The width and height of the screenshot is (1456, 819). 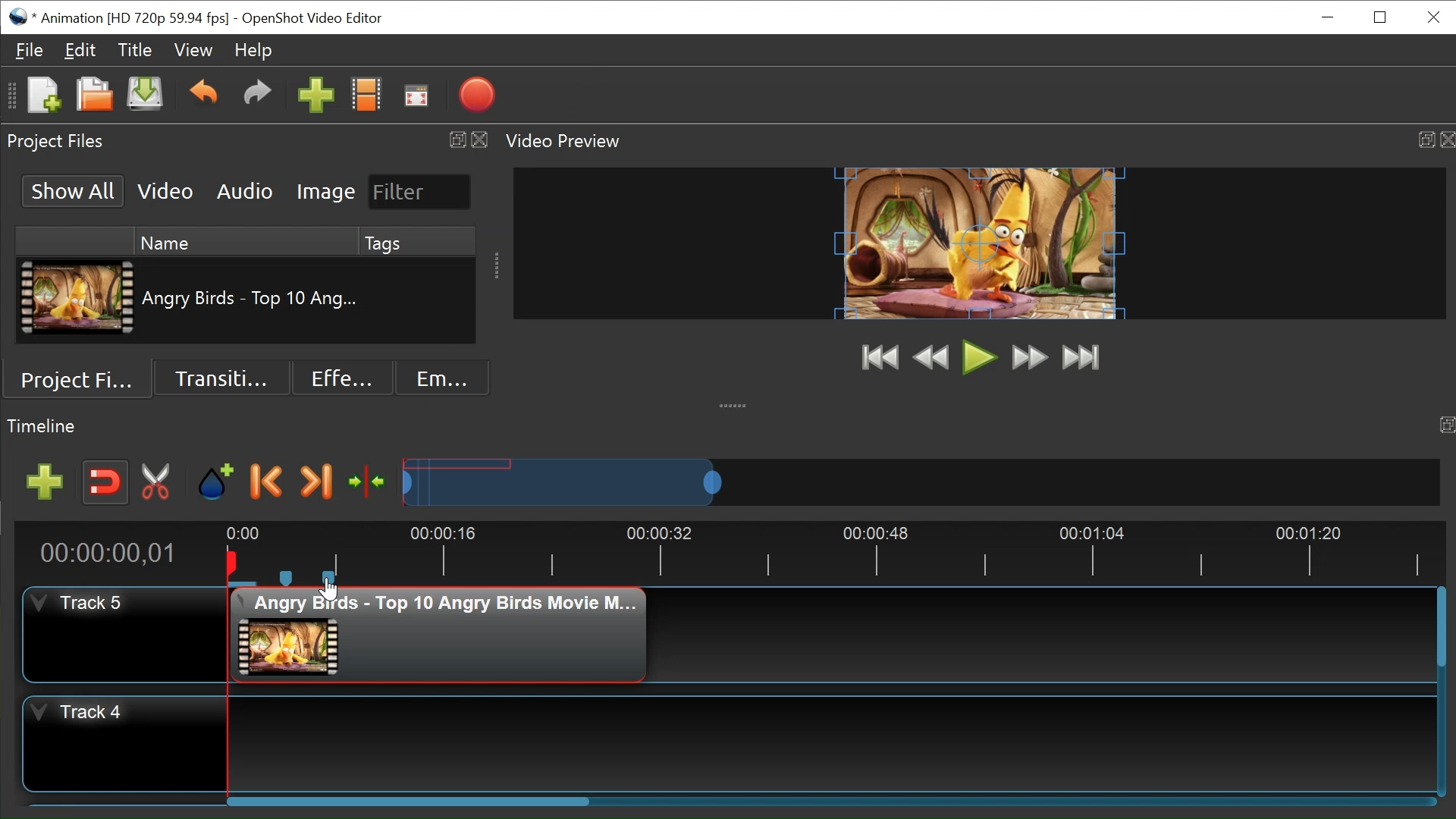 What do you see at coordinates (245, 141) in the screenshot?
I see `Project Files Panel` at bounding box center [245, 141].